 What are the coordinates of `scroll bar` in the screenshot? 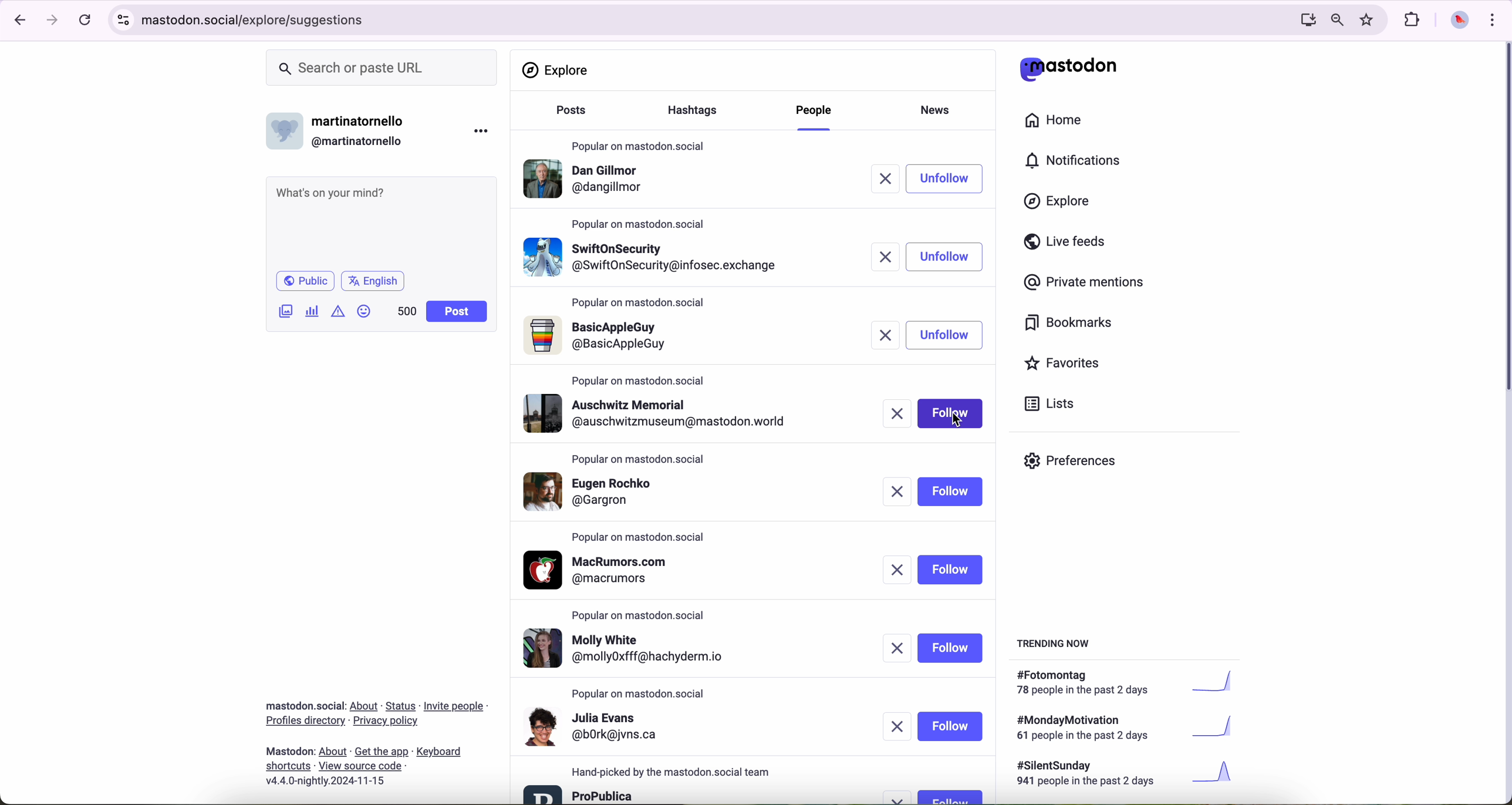 It's located at (1503, 220).